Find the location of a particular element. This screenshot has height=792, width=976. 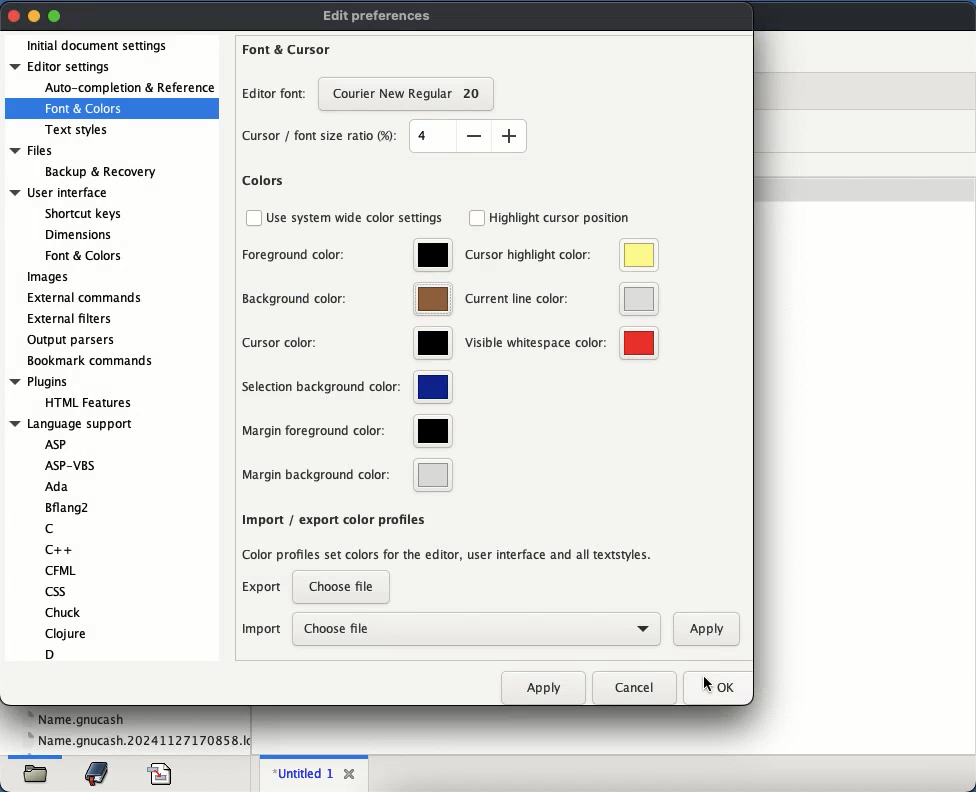

export is located at coordinates (262, 586).